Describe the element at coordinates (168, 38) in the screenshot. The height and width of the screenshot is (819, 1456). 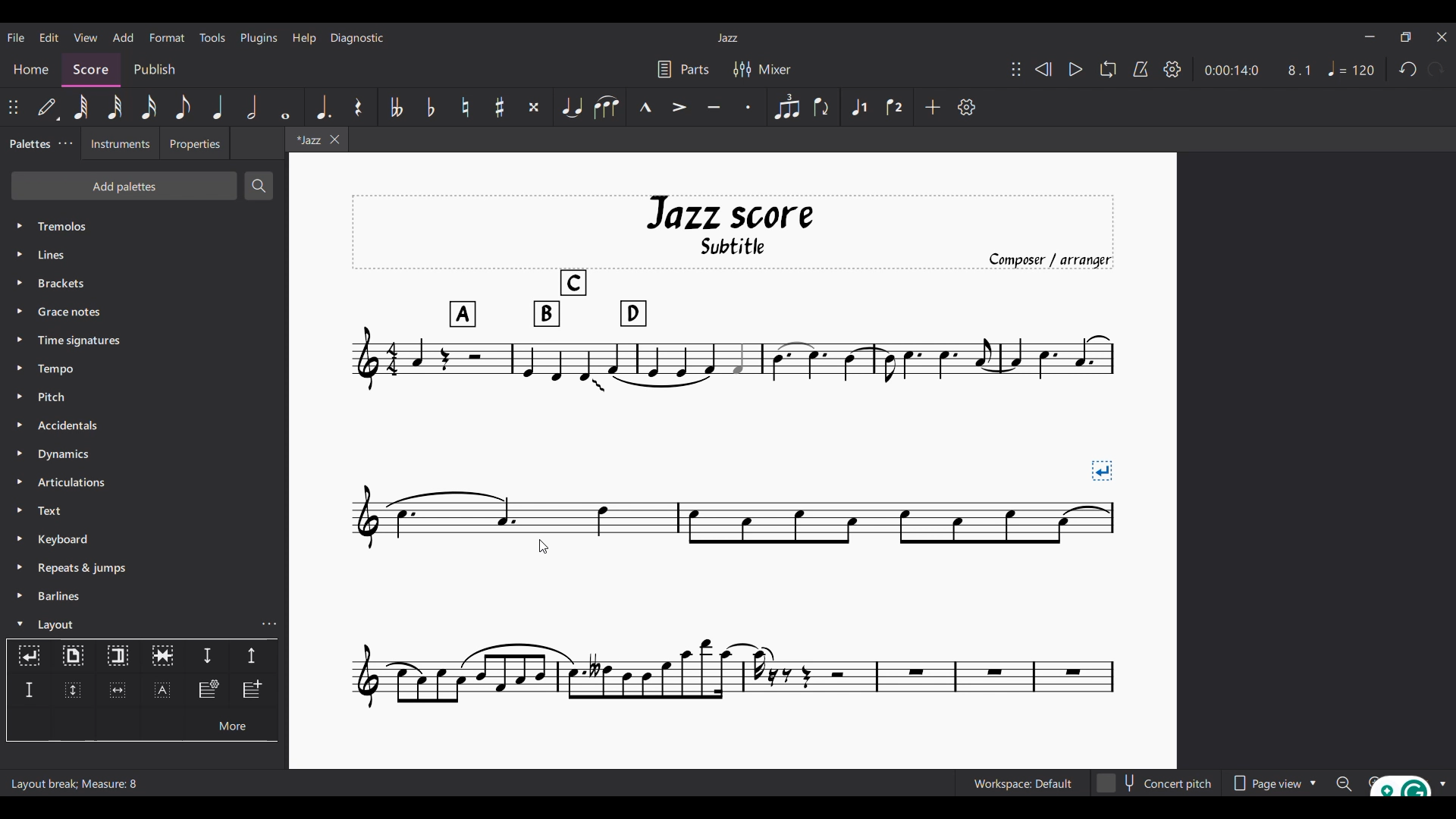
I see `Format menu` at that location.